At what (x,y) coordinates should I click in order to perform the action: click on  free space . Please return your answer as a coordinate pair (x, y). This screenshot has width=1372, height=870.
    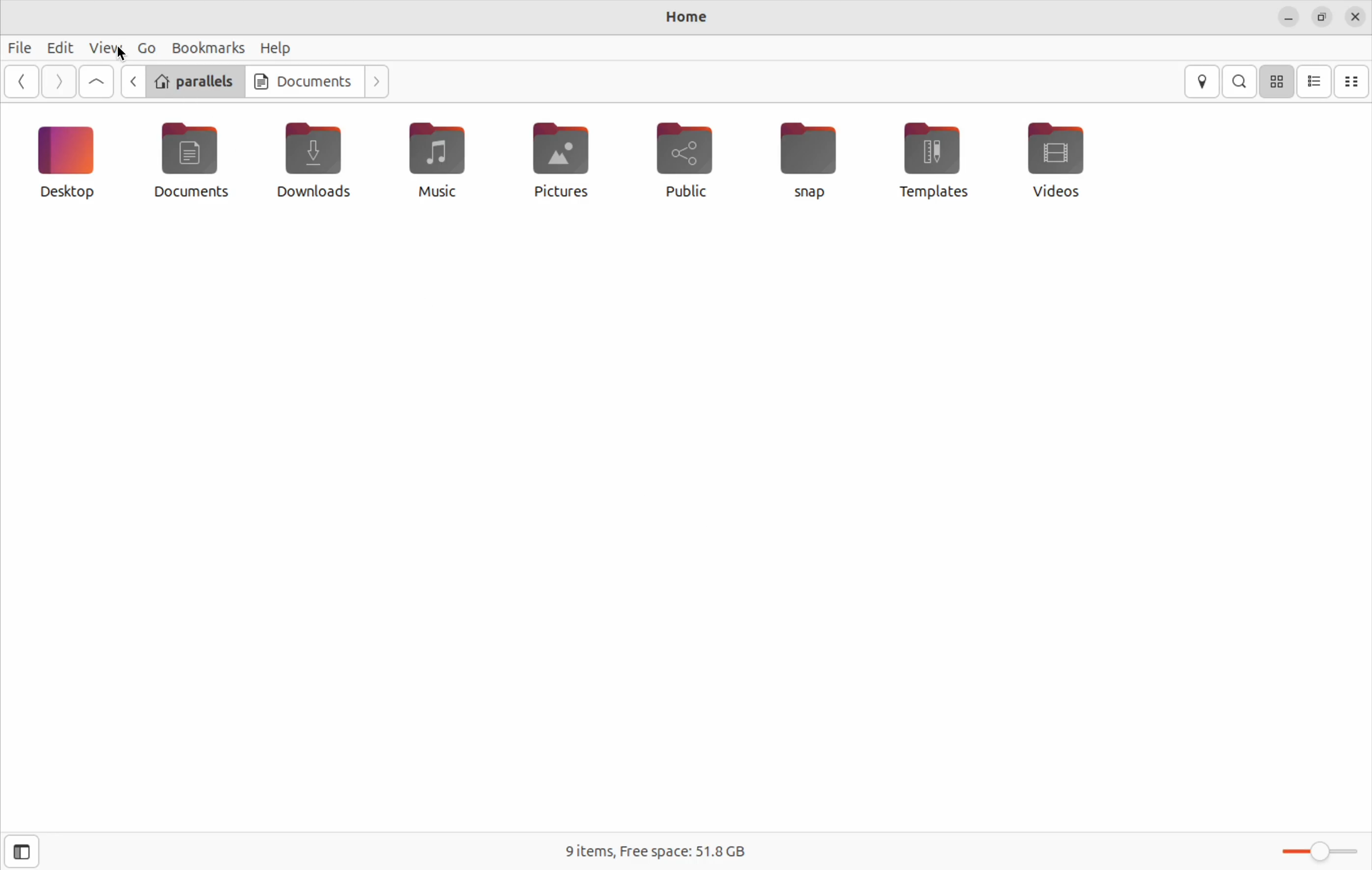
    Looking at the image, I should click on (656, 850).